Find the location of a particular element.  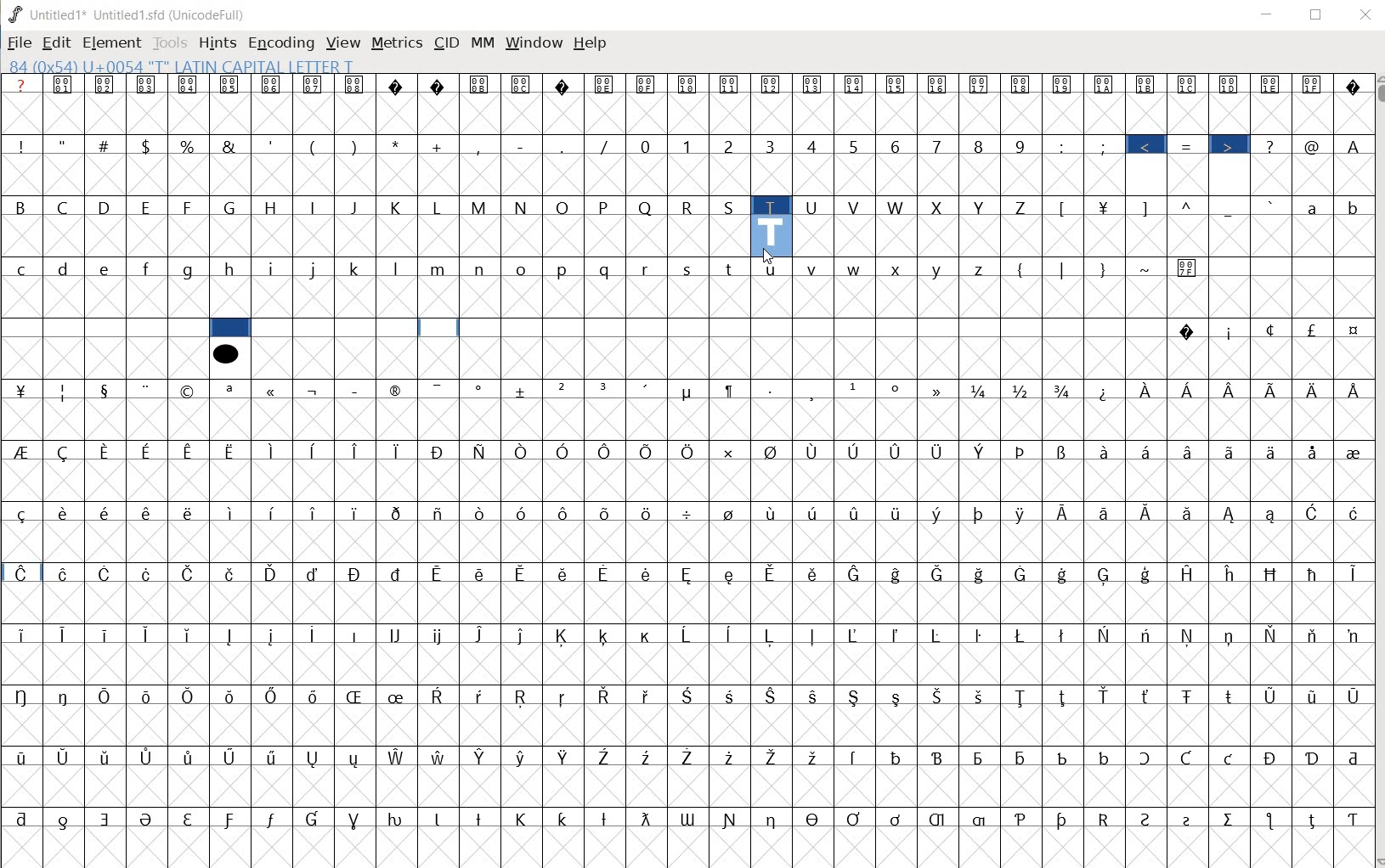

Symbol is located at coordinates (607, 818).